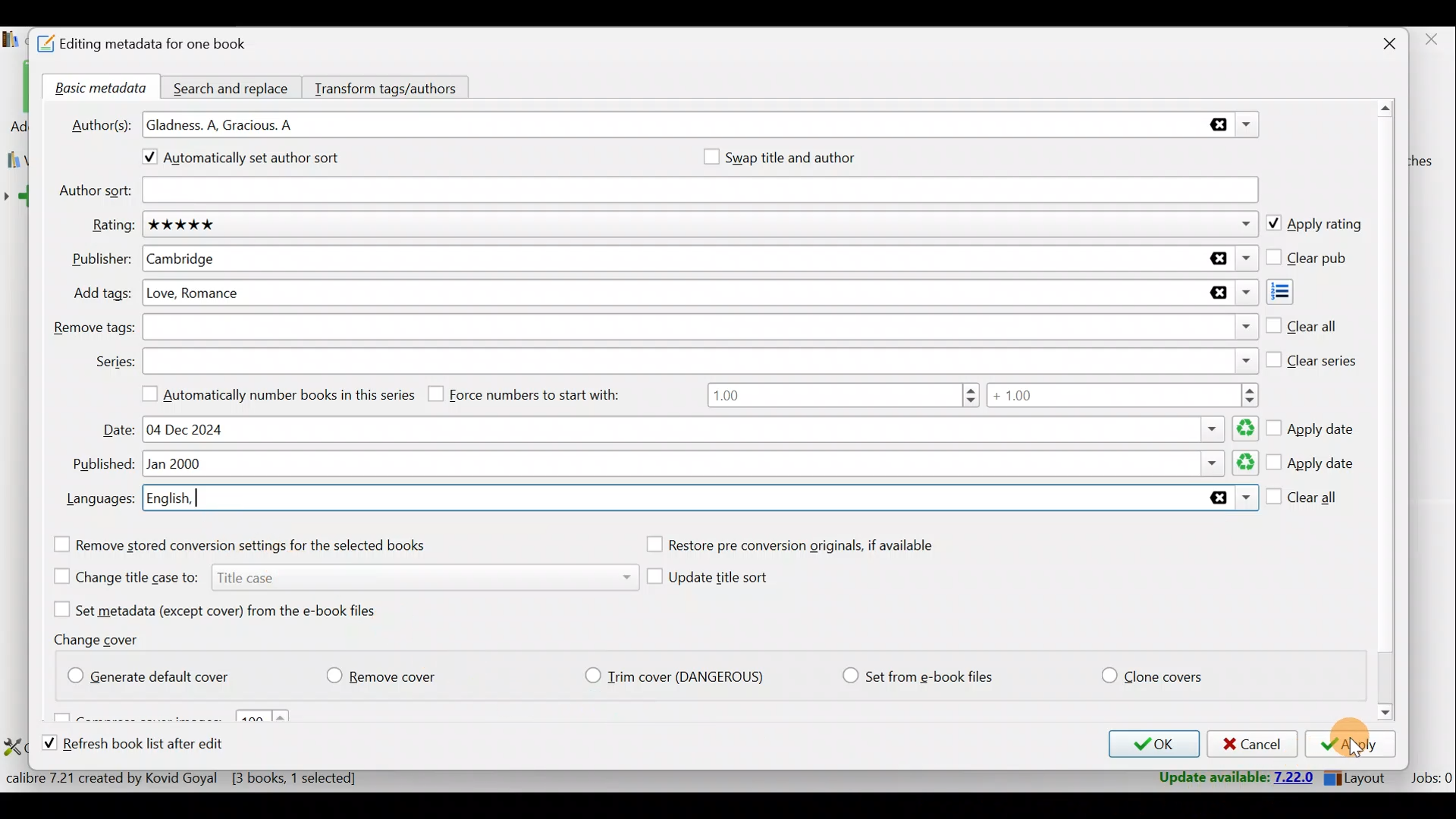 This screenshot has width=1456, height=819. What do you see at coordinates (100, 465) in the screenshot?
I see `Published:` at bounding box center [100, 465].